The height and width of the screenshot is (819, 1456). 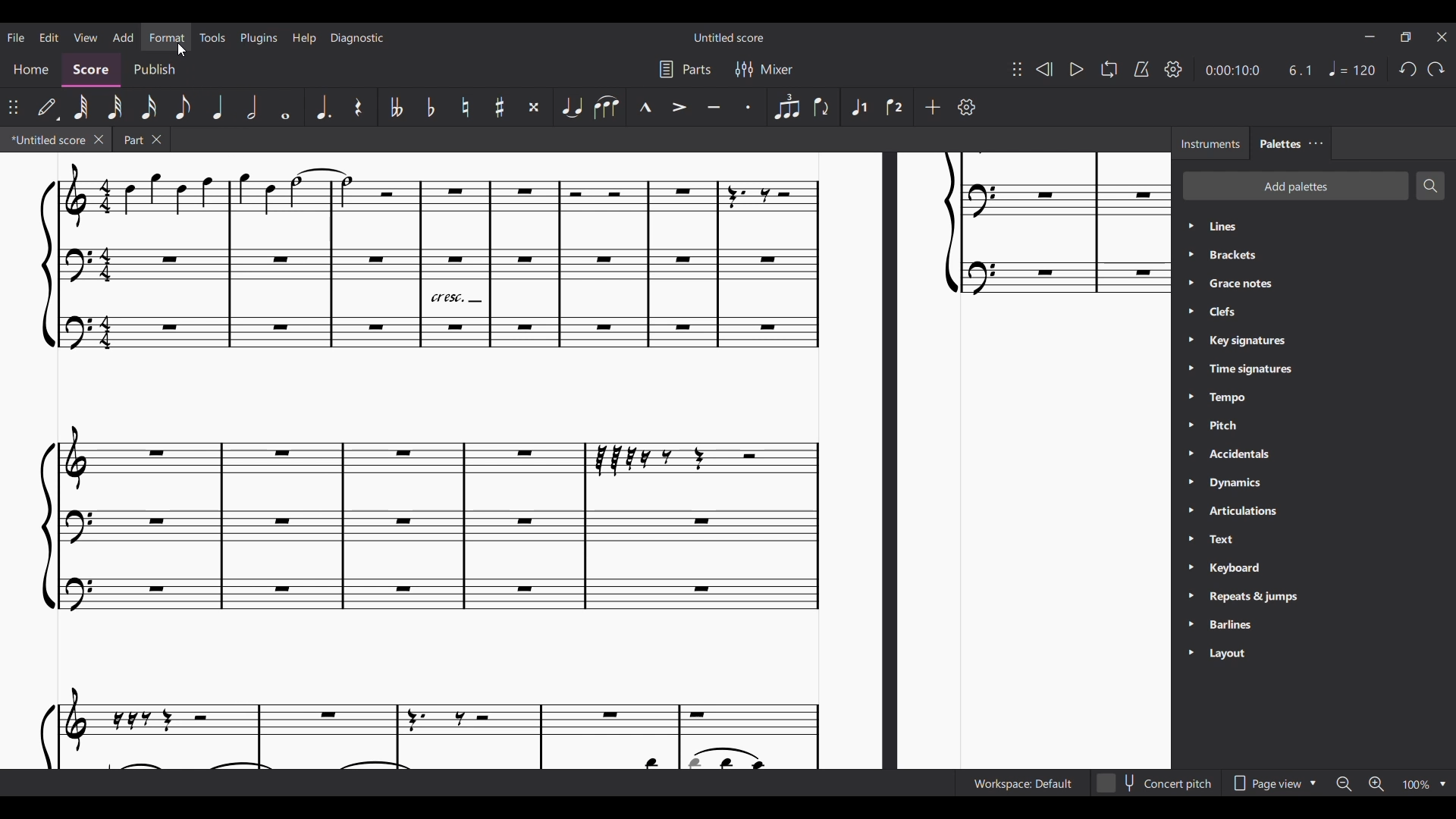 What do you see at coordinates (1076, 70) in the screenshot?
I see `Play` at bounding box center [1076, 70].